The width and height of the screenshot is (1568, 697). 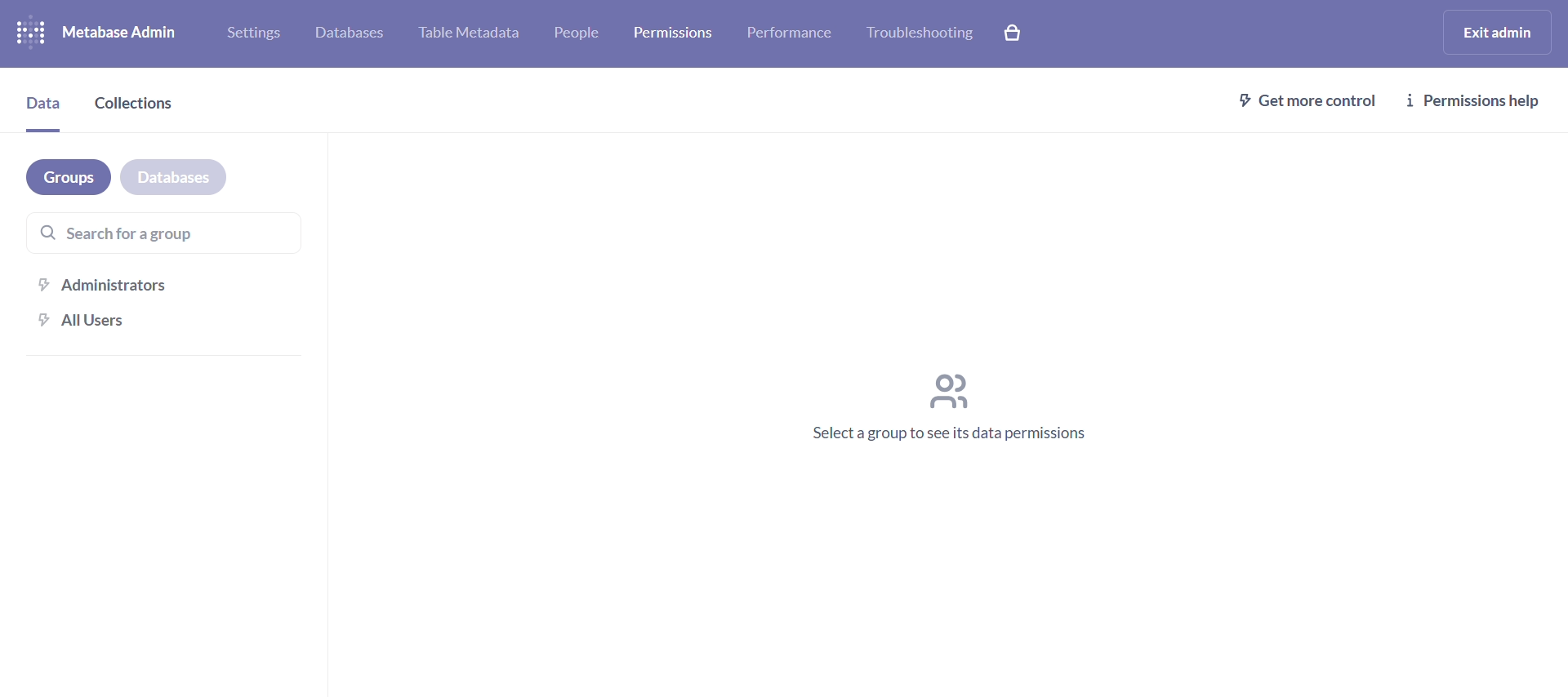 What do you see at coordinates (173, 180) in the screenshot?
I see `database` at bounding box center [173, 180].